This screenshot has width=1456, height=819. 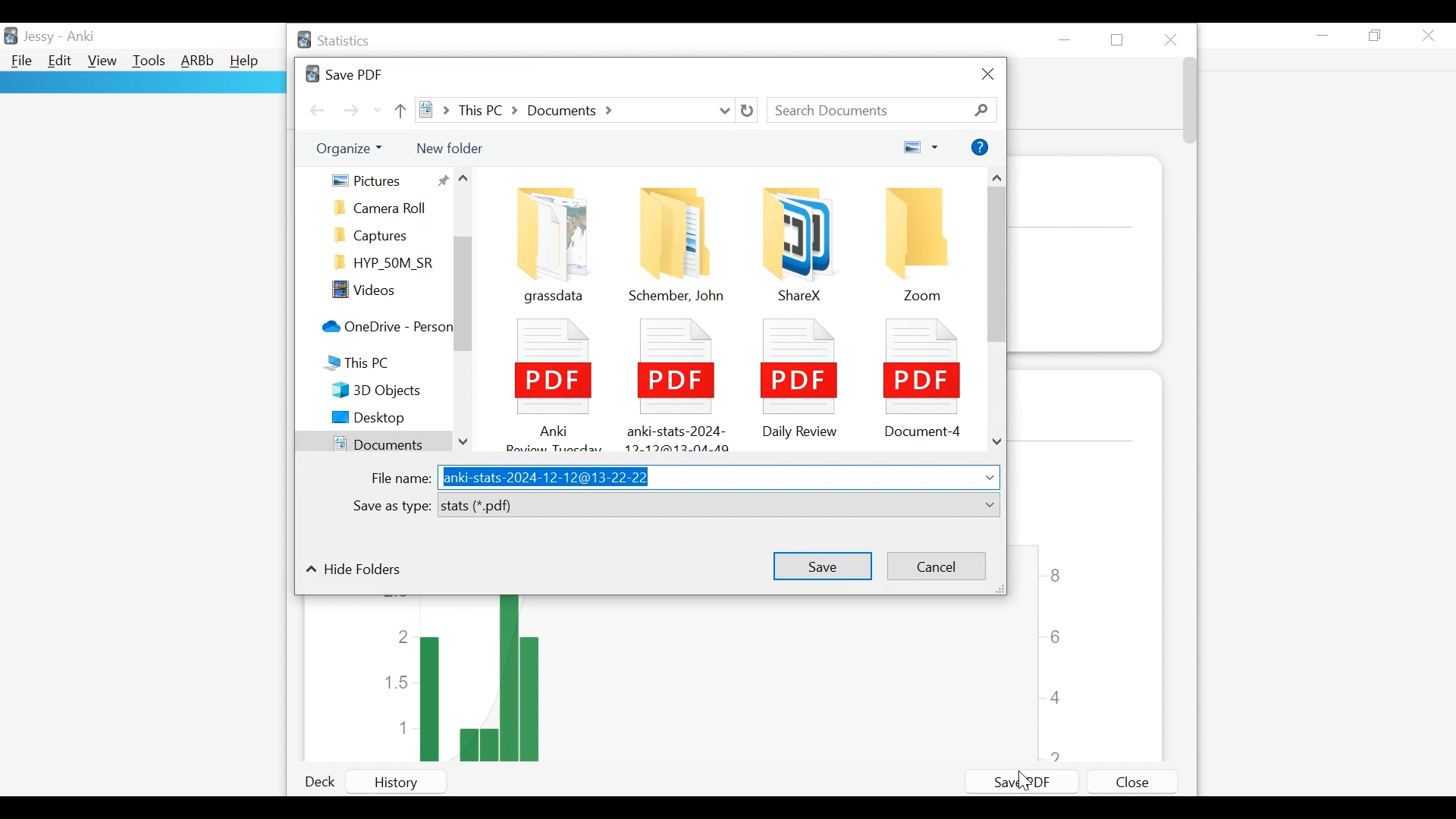 I want to click on Tools, so click(x=149, y=62).